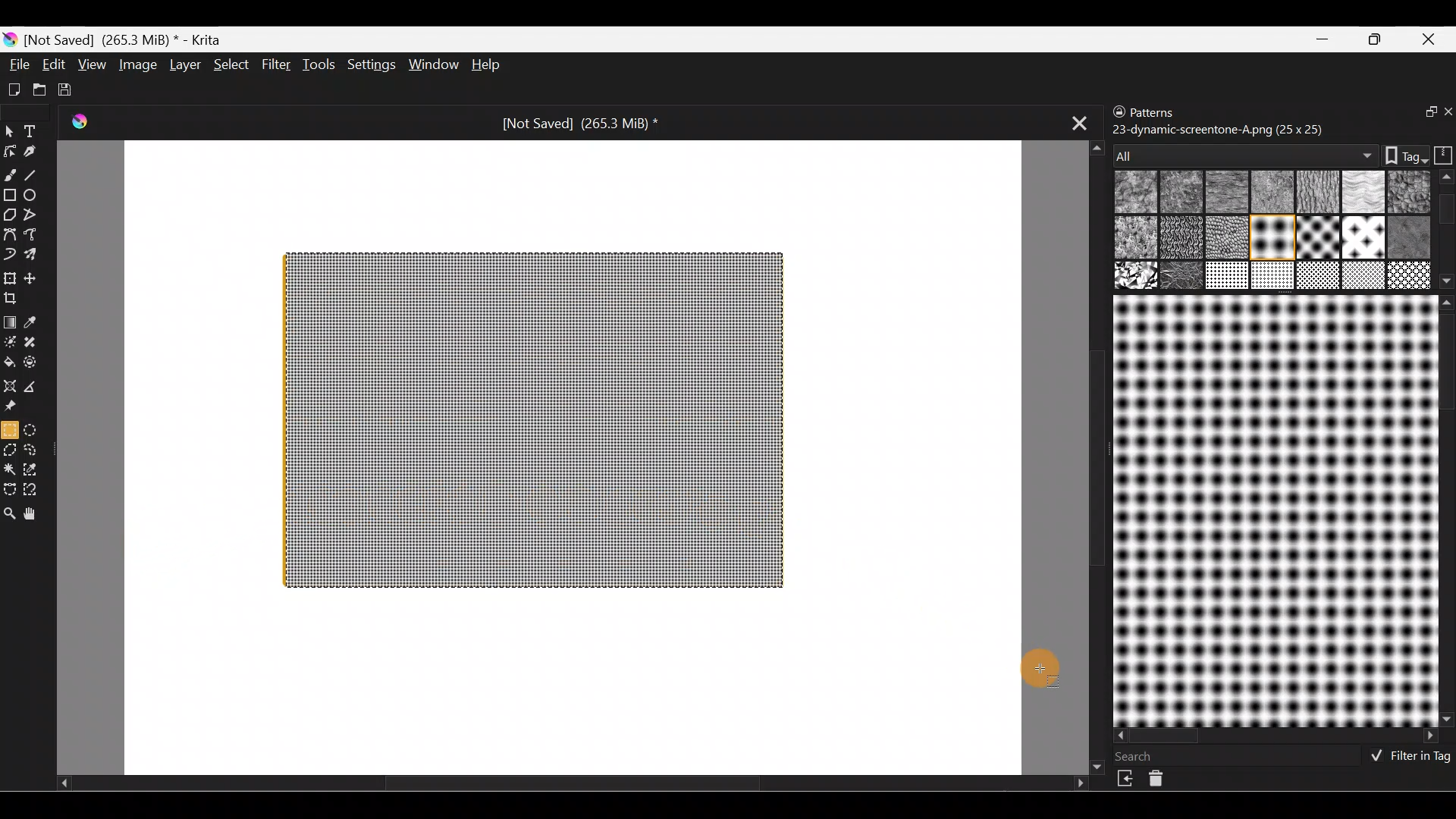 The height and width of the screenshot is (819, 1456). Describe the element at coordinates (1228, 277) in the screenshot. I see `16 Texture_woody.png` at that location.